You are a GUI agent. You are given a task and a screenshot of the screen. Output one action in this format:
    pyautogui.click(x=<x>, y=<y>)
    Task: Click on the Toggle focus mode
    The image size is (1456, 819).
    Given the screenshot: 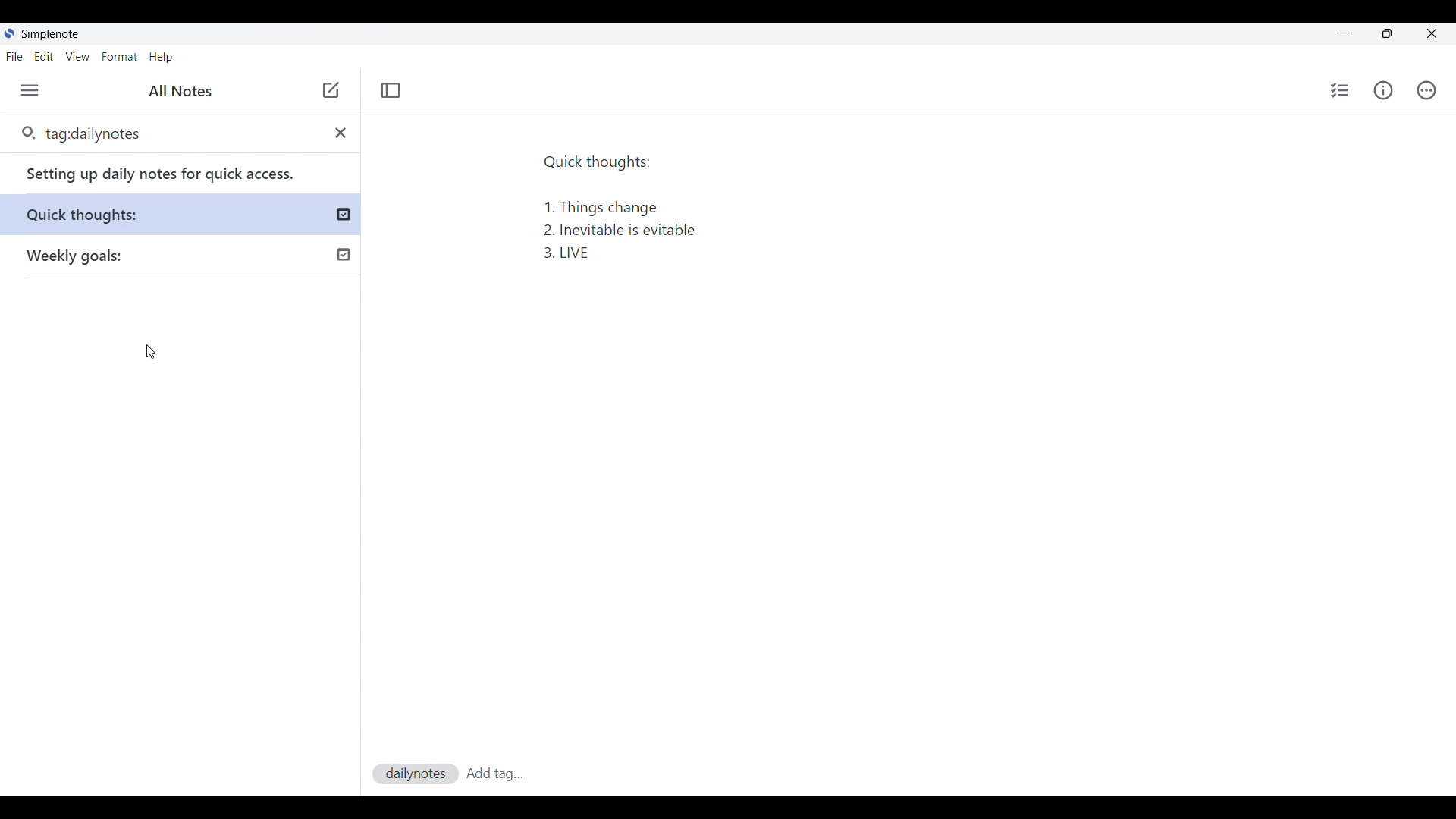 What is the action you would take?
    pyautogui.click(x=391, y=91)
    